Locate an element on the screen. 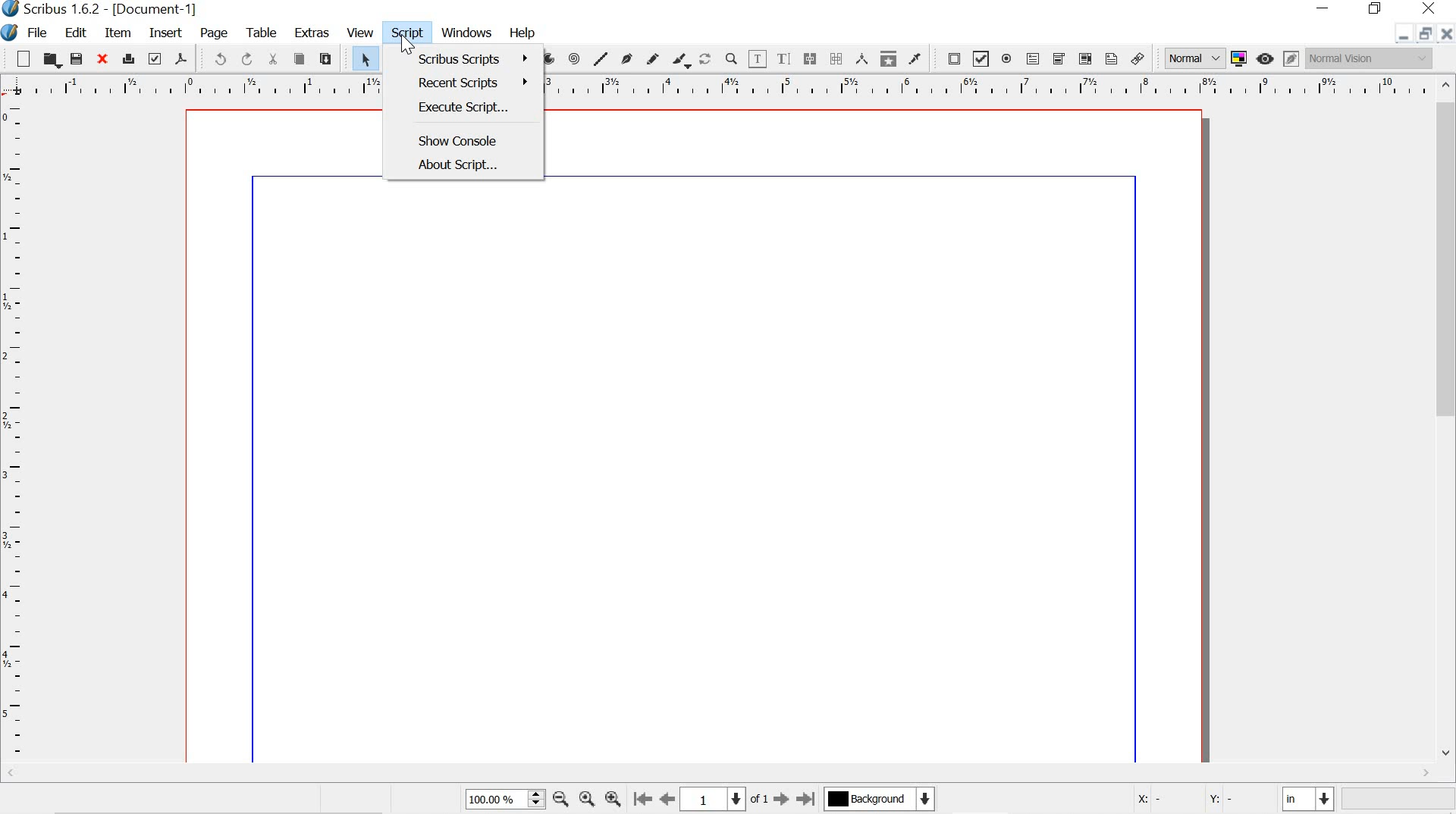 The width and height of the screenshot is (1456, 814). Help is located at coordinates (524, 33).